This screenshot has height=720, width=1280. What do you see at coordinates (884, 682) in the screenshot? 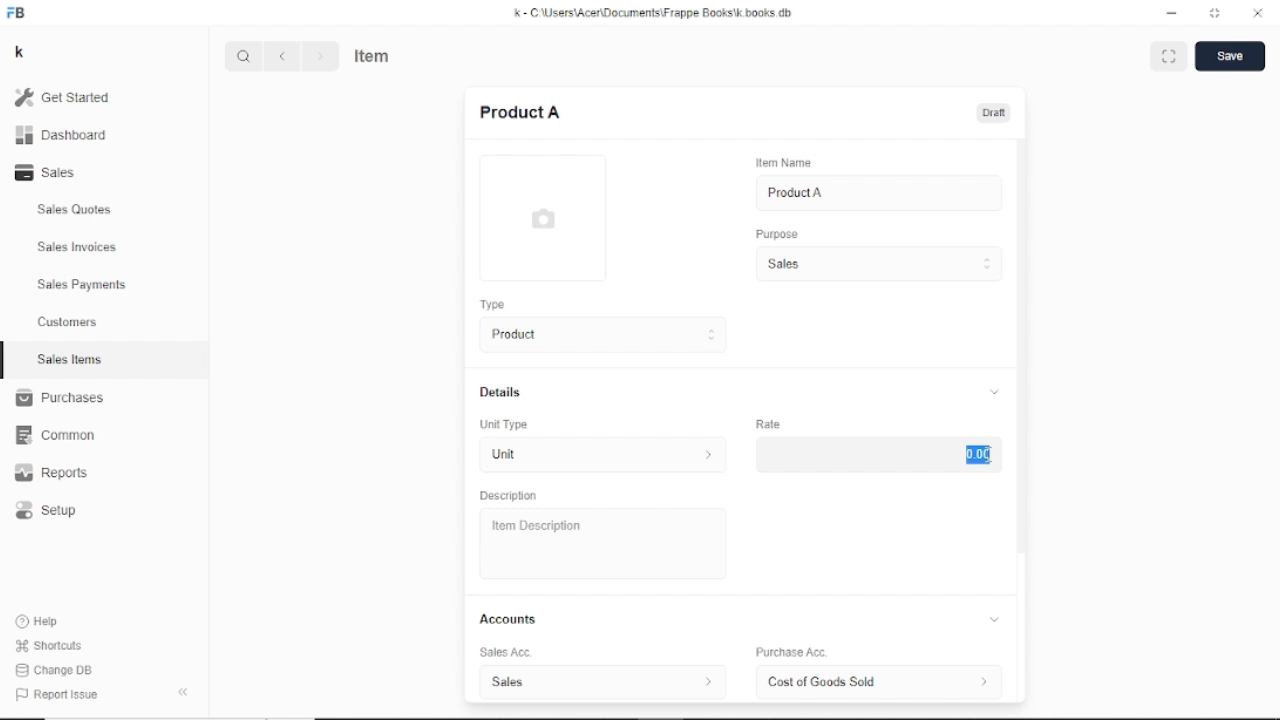
I see `Cost of Goods sold` at bounding box center [884, 682].